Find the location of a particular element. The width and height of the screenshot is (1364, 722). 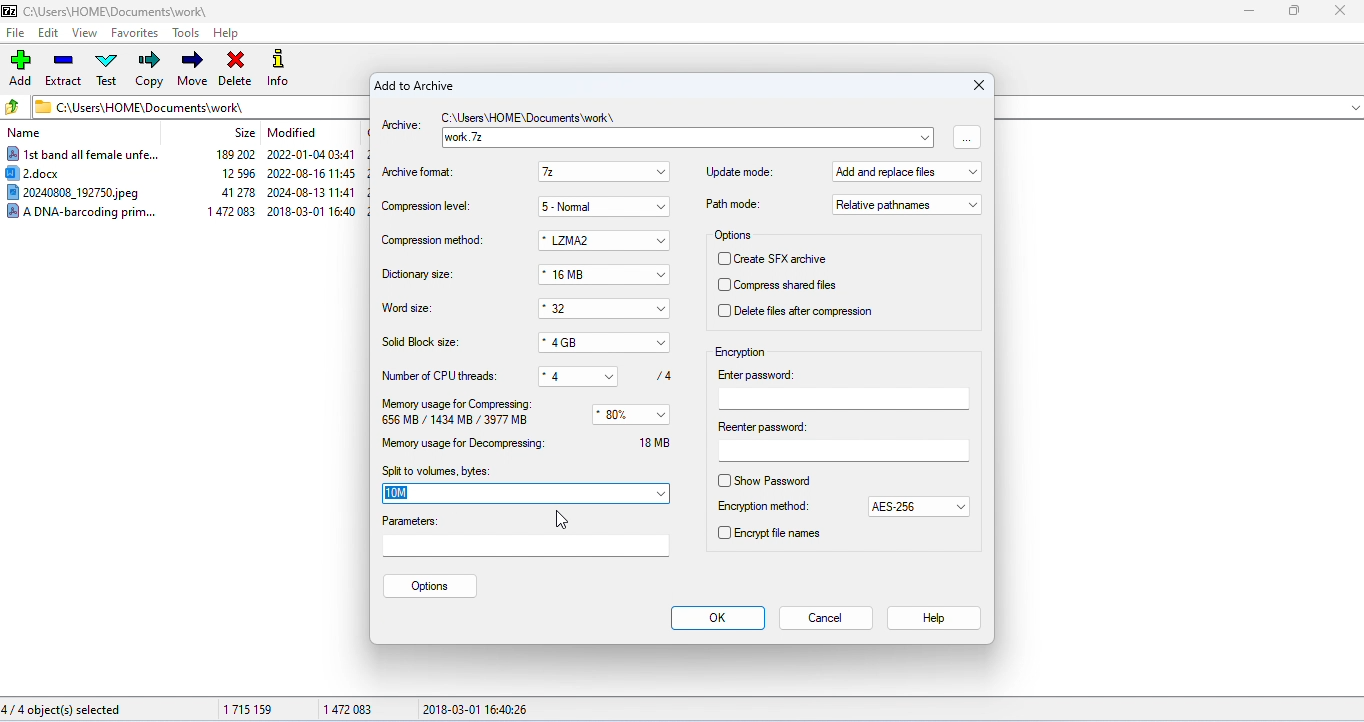

help is located at coordinates (932, 619).